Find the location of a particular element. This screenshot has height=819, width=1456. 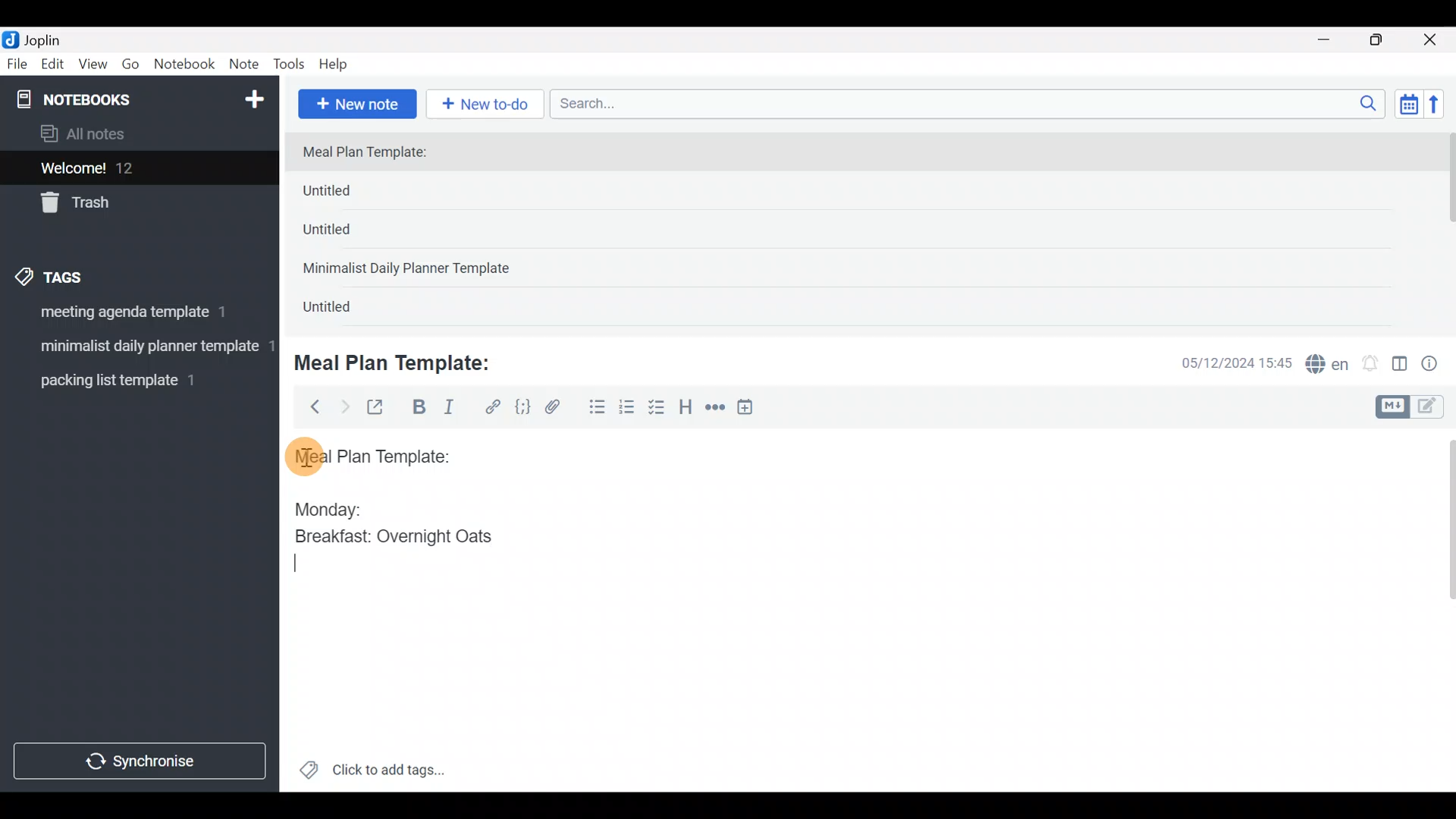

Tags is located at coordinates (85, 275).